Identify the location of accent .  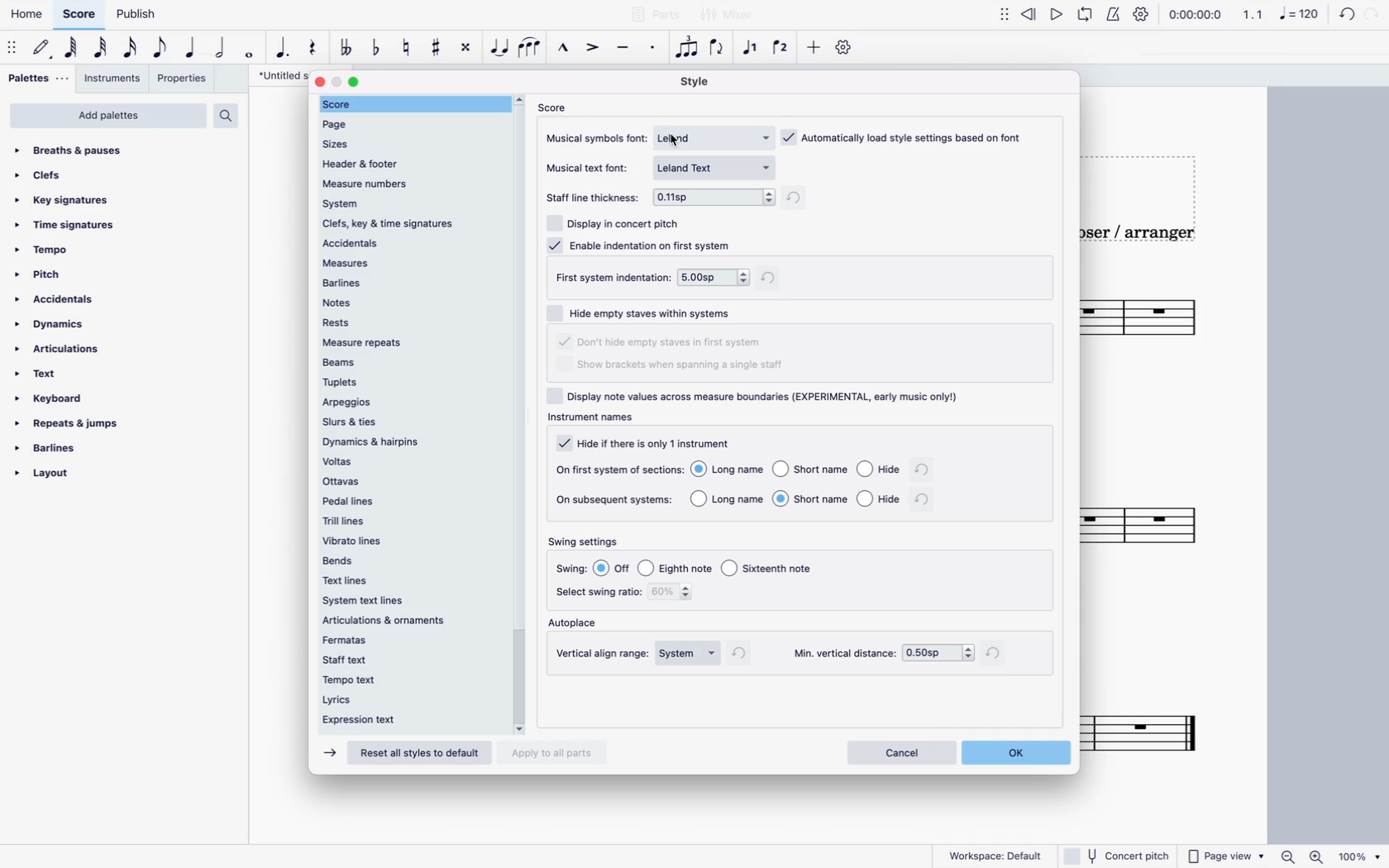
(594, 51).